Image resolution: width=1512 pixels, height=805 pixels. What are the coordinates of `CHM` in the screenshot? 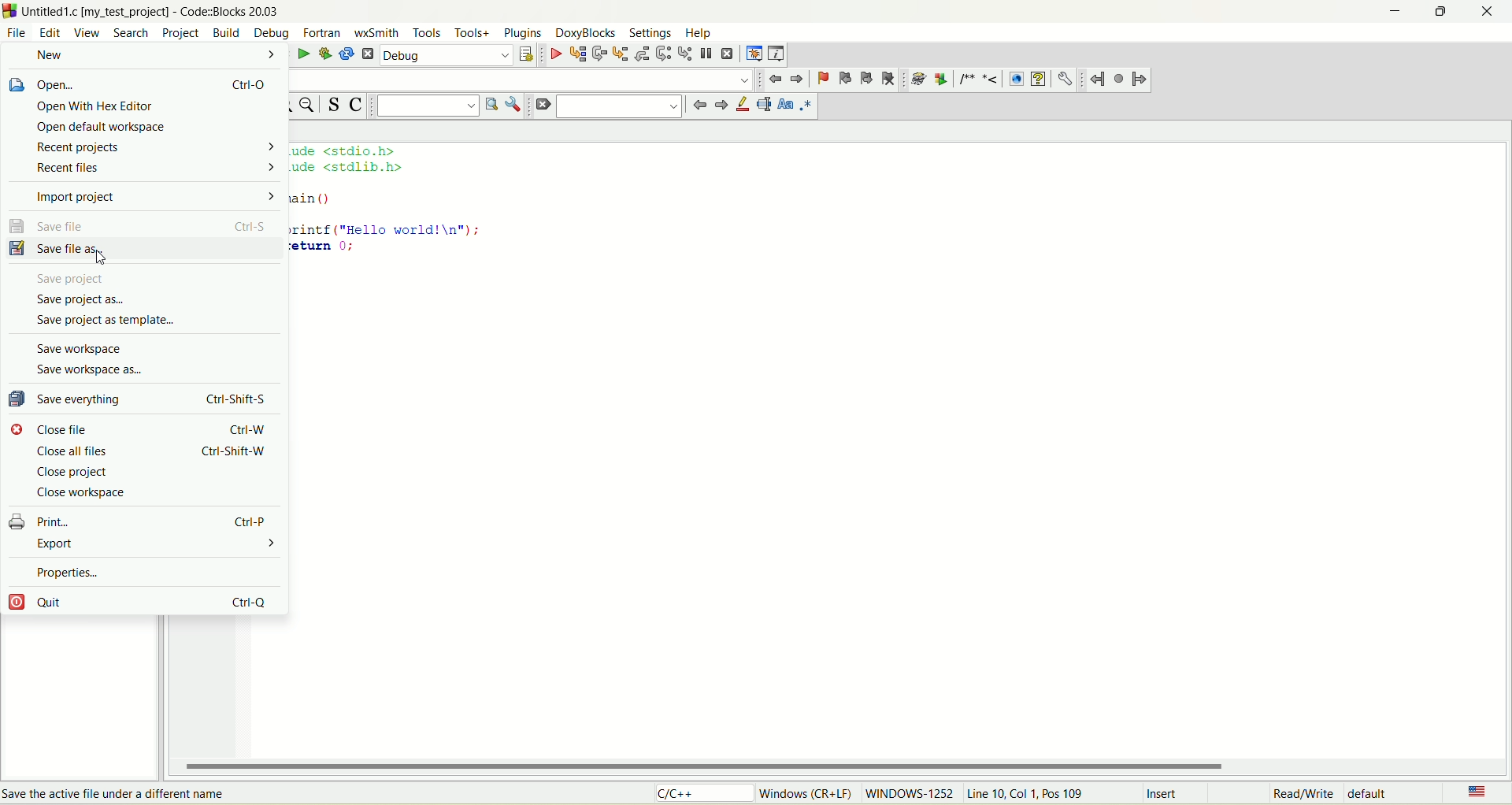 It's located at (1038, 80).